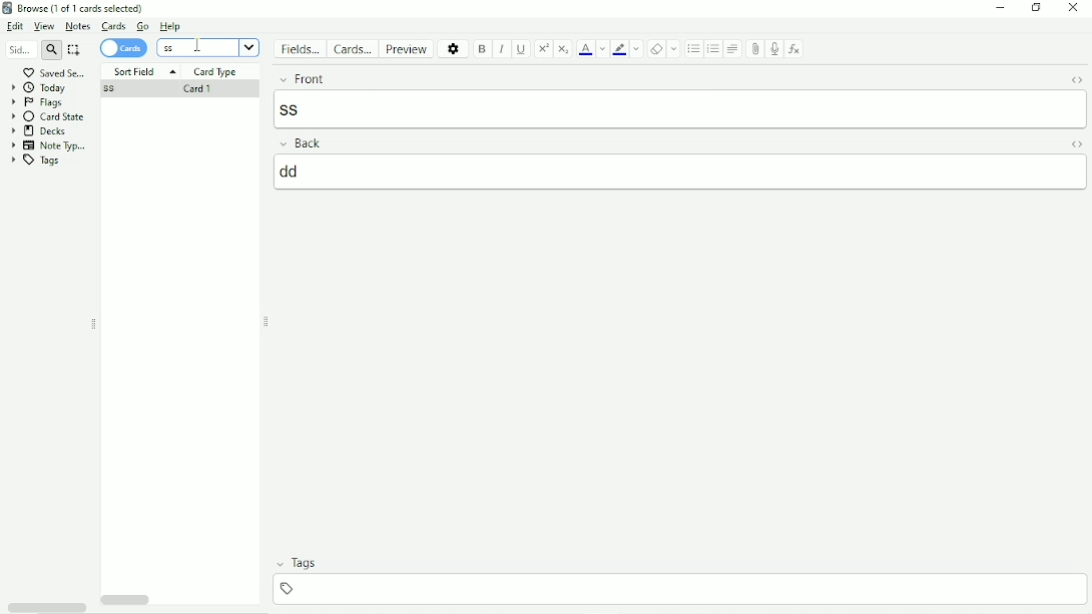 The height and width of the screenshot is (614, 1092). Describe the element at coordinates (142, 26) in the screenshot. I see `Go` at that location.